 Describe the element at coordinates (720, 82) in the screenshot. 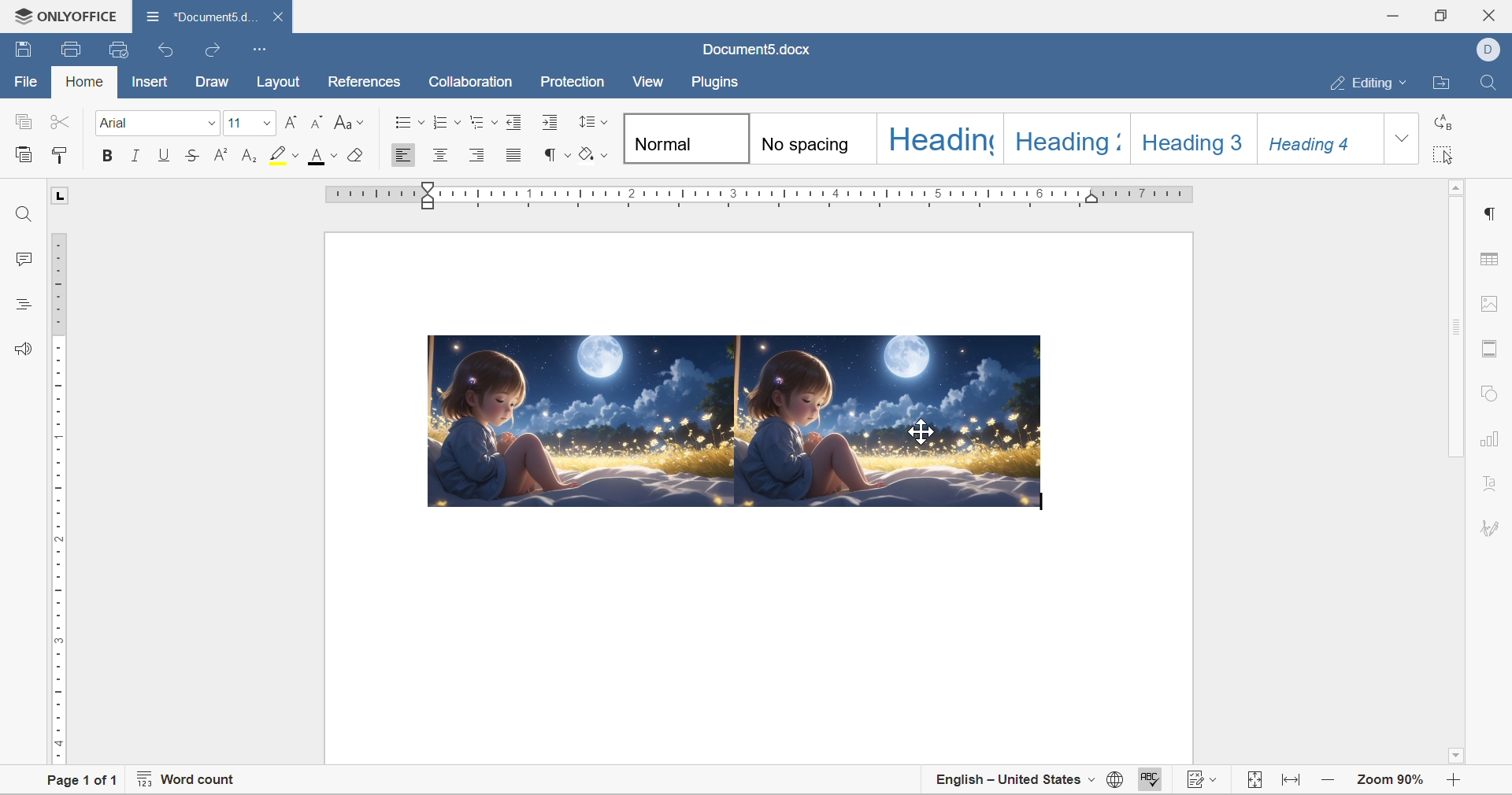

I see `plugins` at that location.